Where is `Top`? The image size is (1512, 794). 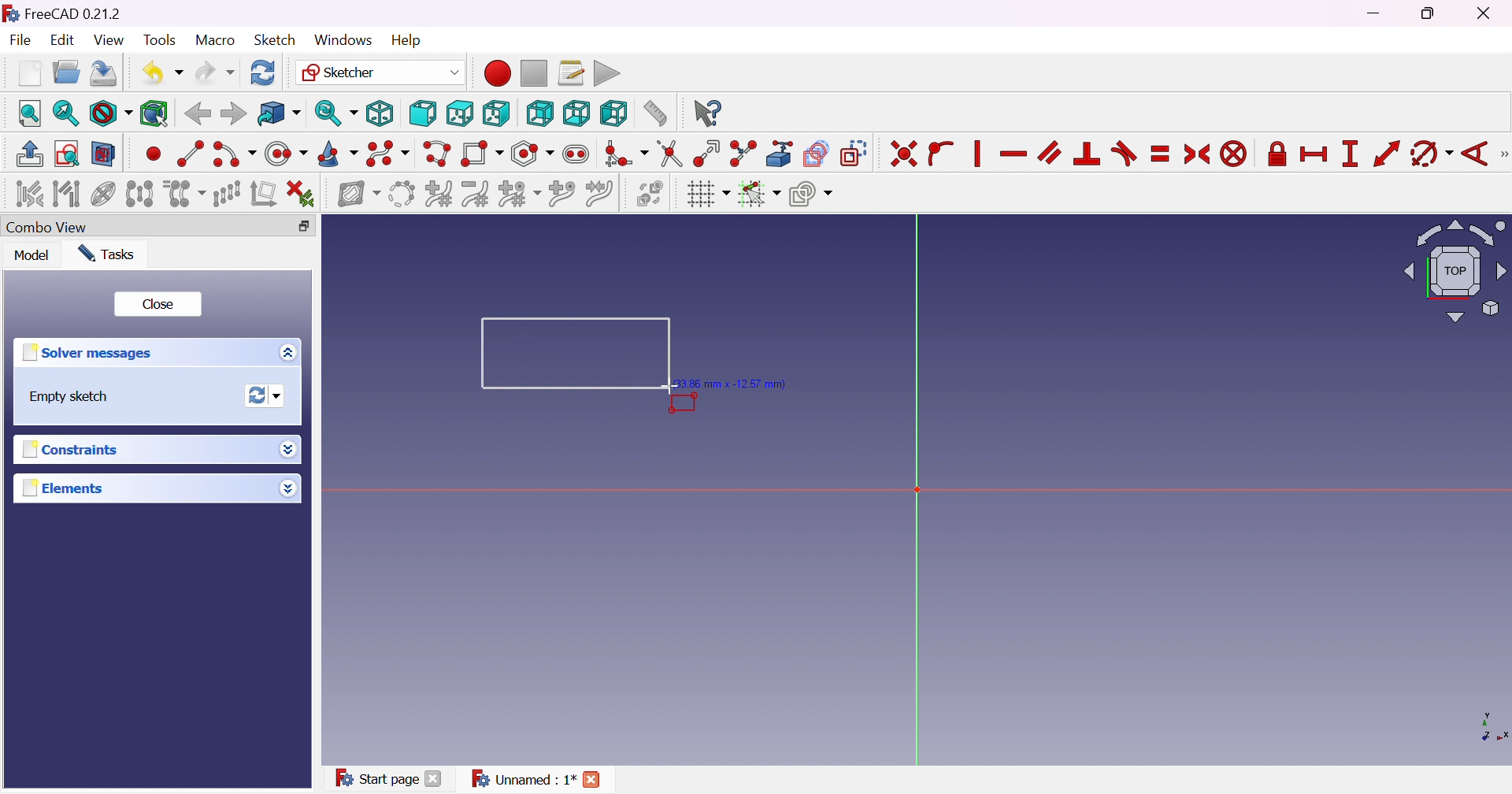
Top is located at coordinates (461, 113).